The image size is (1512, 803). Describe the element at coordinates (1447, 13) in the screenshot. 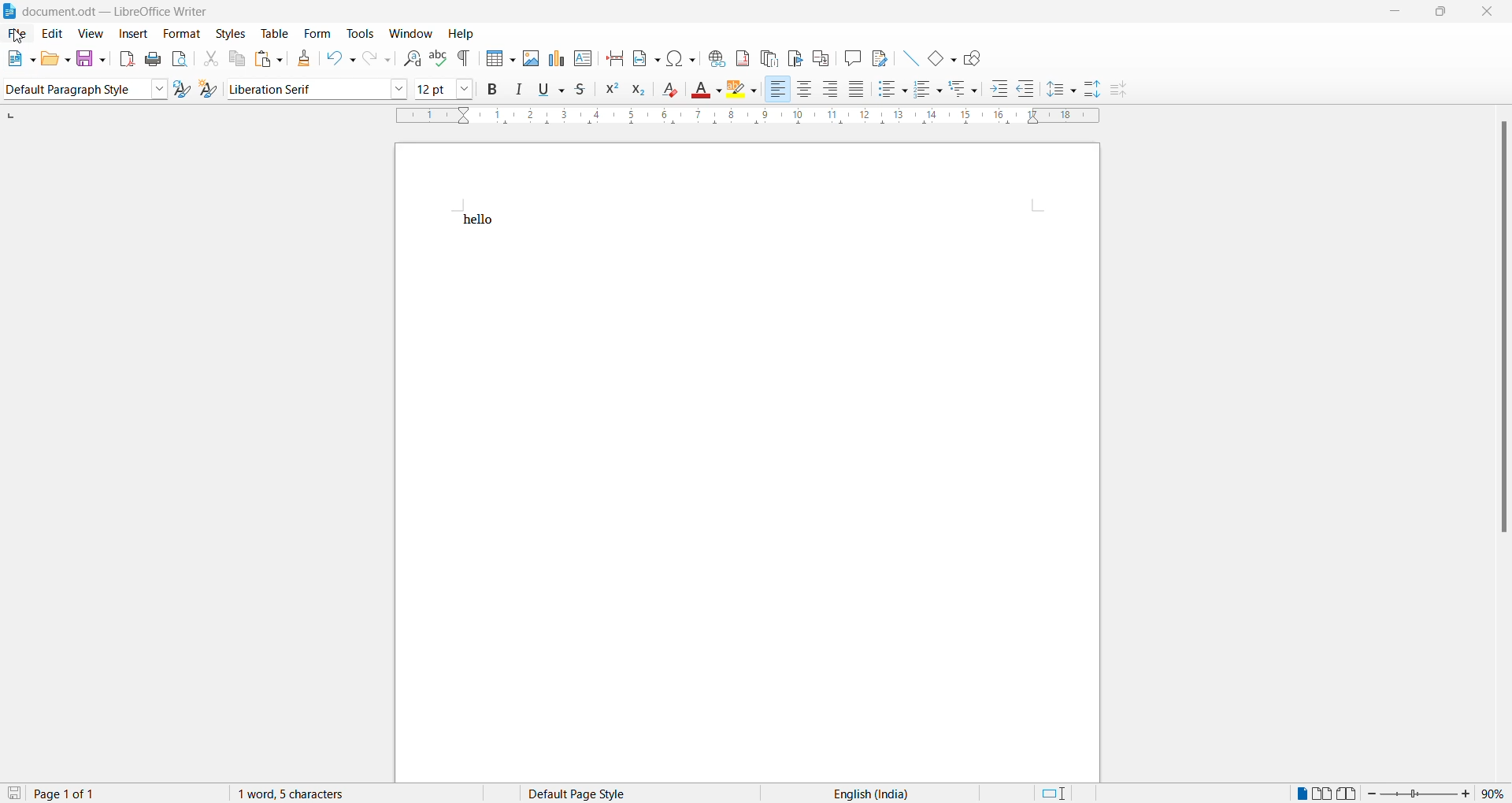

I see `maximize` at that location.